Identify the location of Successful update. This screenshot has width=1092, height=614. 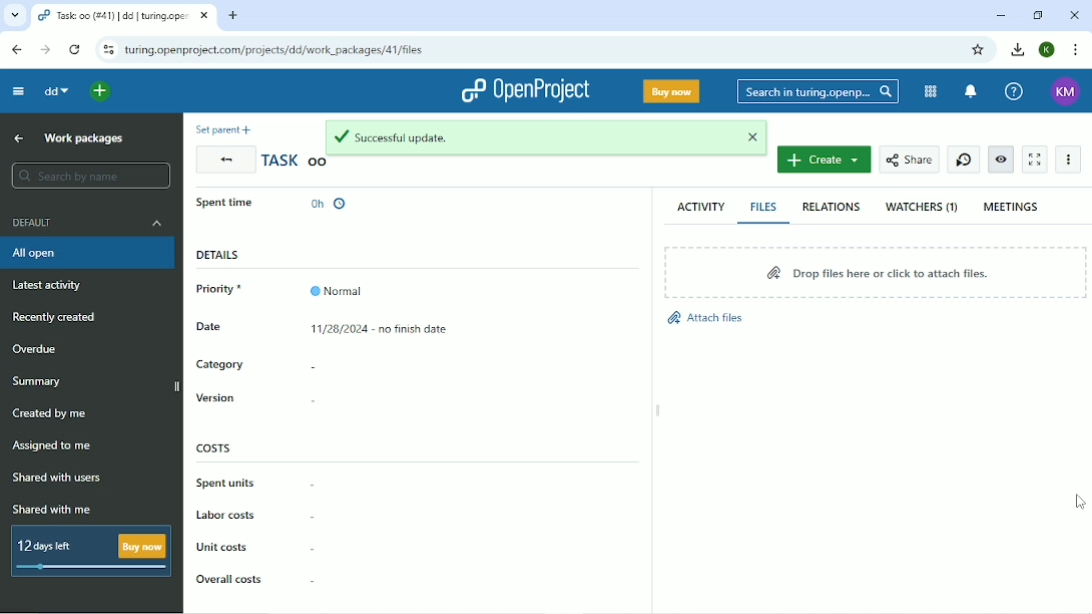
(527, 136).